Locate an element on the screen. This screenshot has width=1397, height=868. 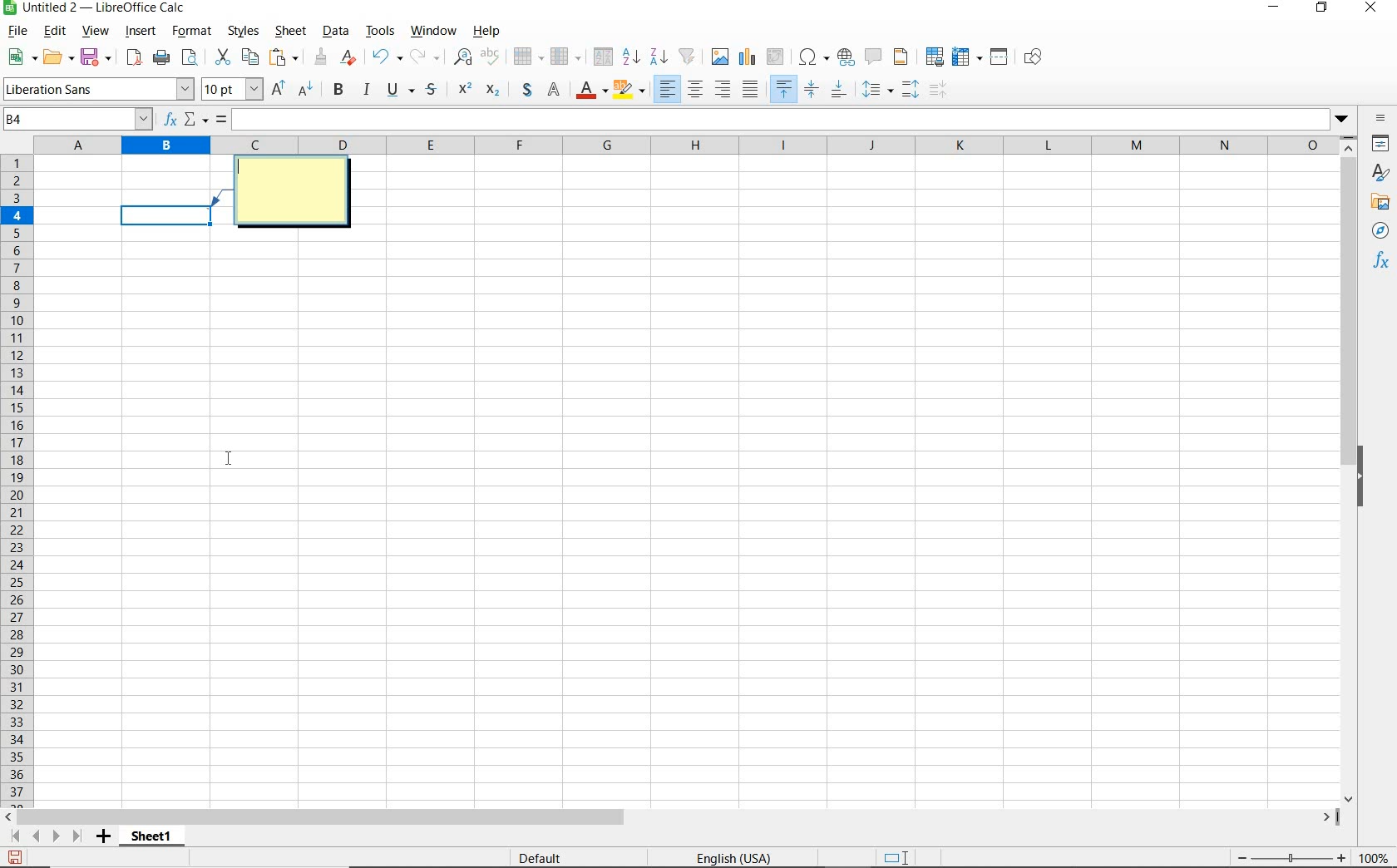
properties is located at coordinates (1380, 142).